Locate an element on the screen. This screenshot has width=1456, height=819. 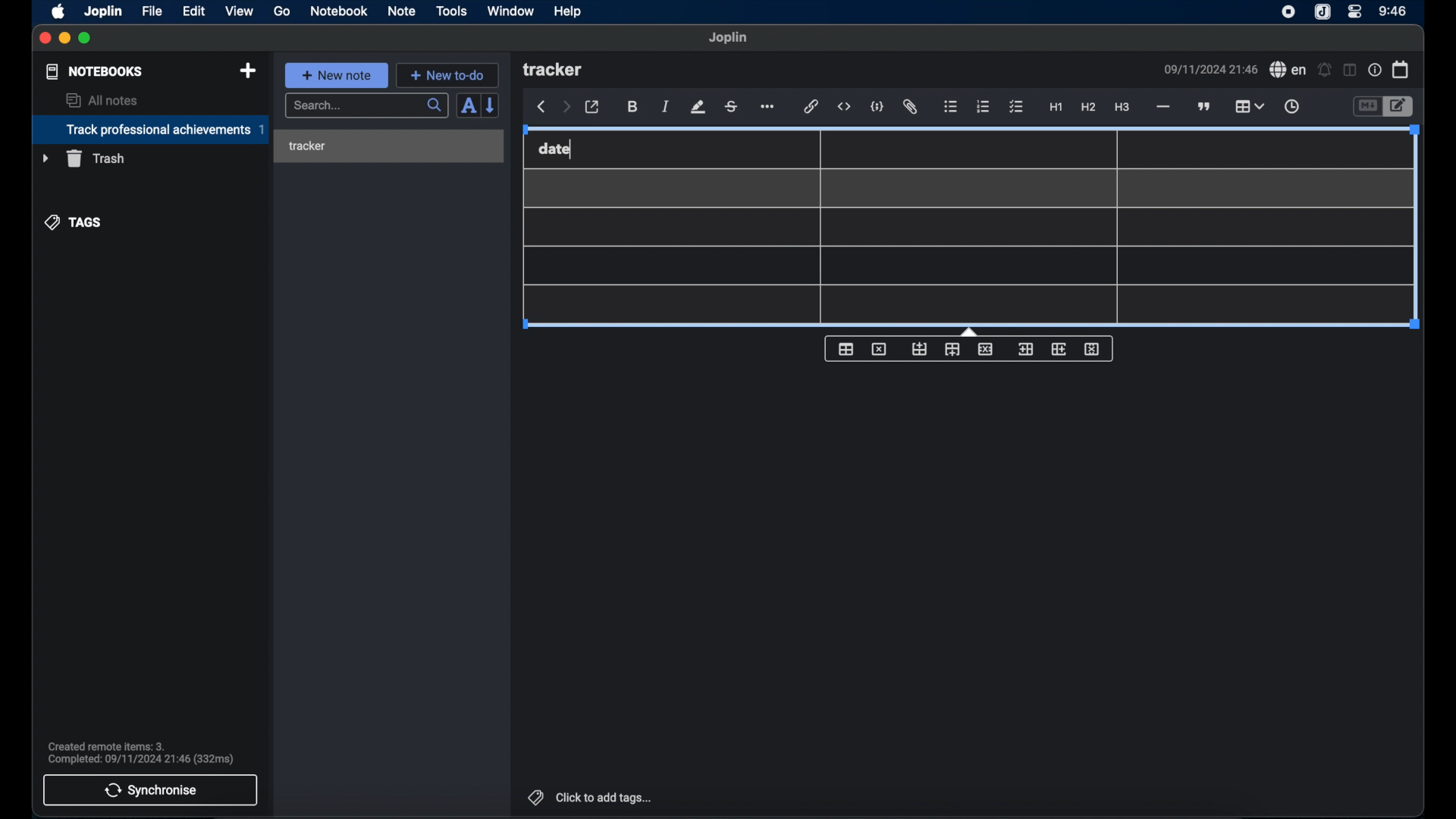
date and time is located at coordinates (1210, 69).